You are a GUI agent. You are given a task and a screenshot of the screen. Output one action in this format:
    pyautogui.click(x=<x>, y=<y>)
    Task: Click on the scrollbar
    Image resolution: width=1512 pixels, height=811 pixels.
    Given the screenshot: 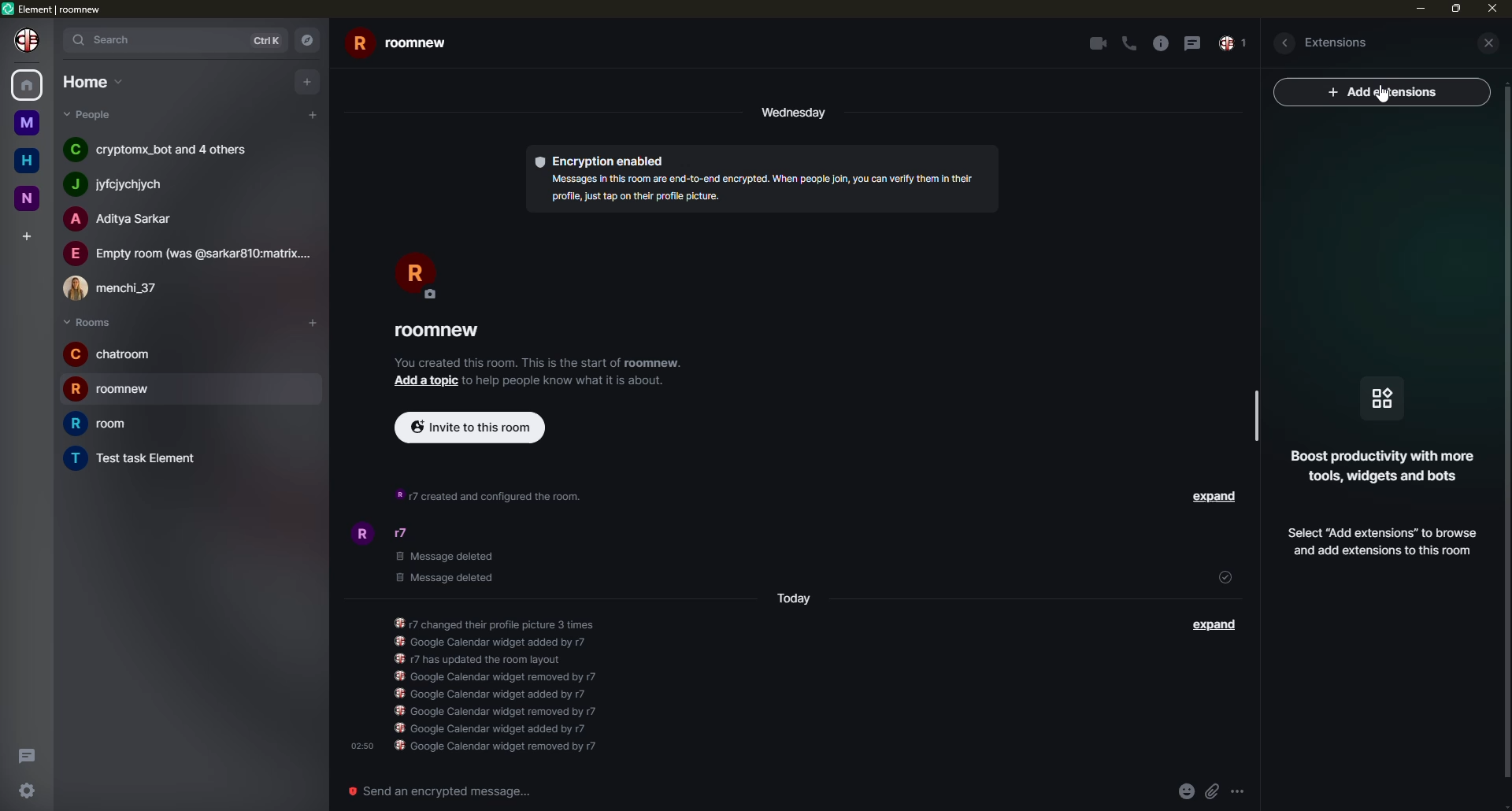 What is the action you would take?
    pyautogui.click(x=1250, y=415)
    